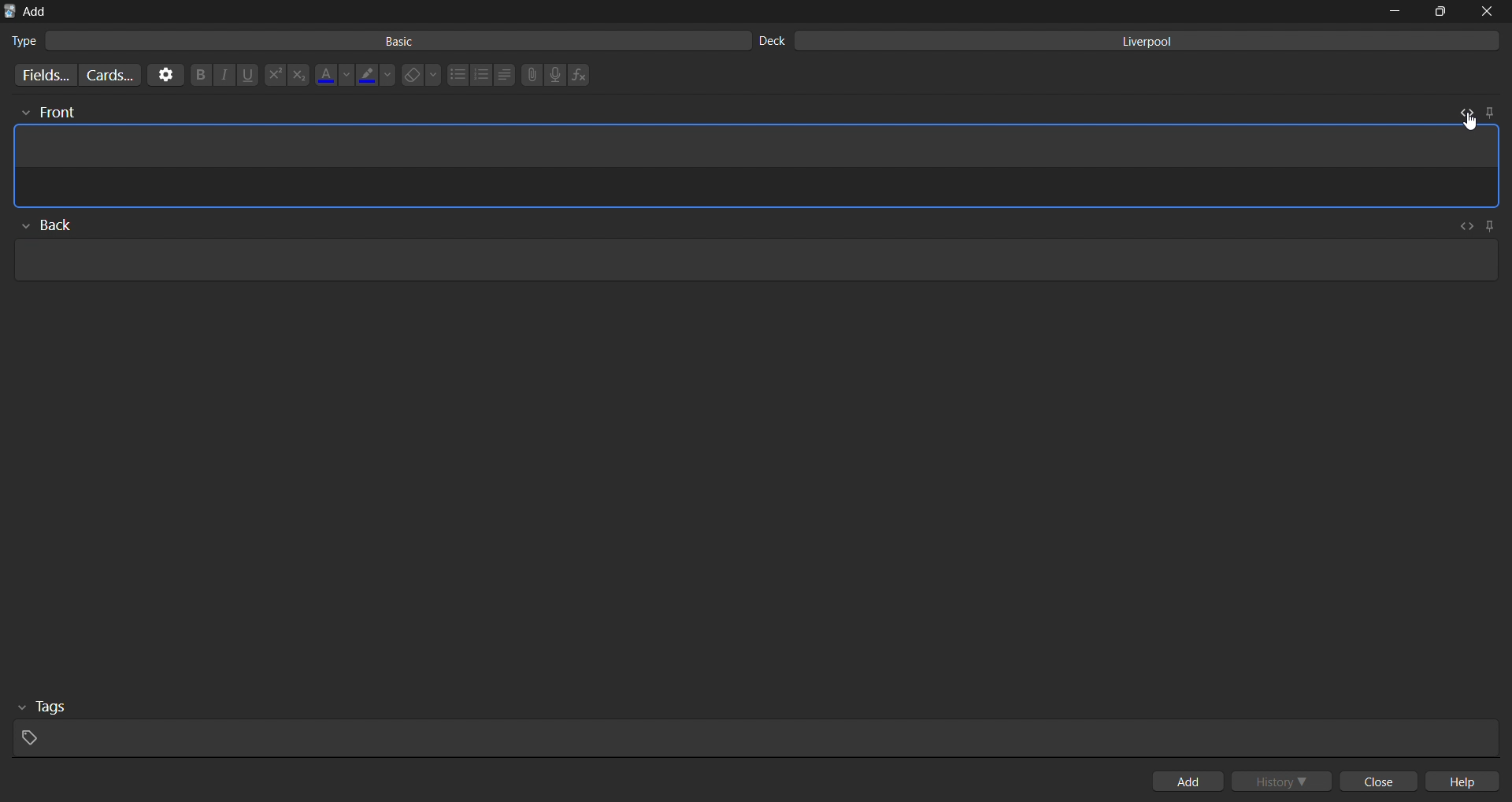 This screenshot has height=802, width=1512. Describe the element at coordinates (1492, 224) in the screenshot. I see `pin` at that location.